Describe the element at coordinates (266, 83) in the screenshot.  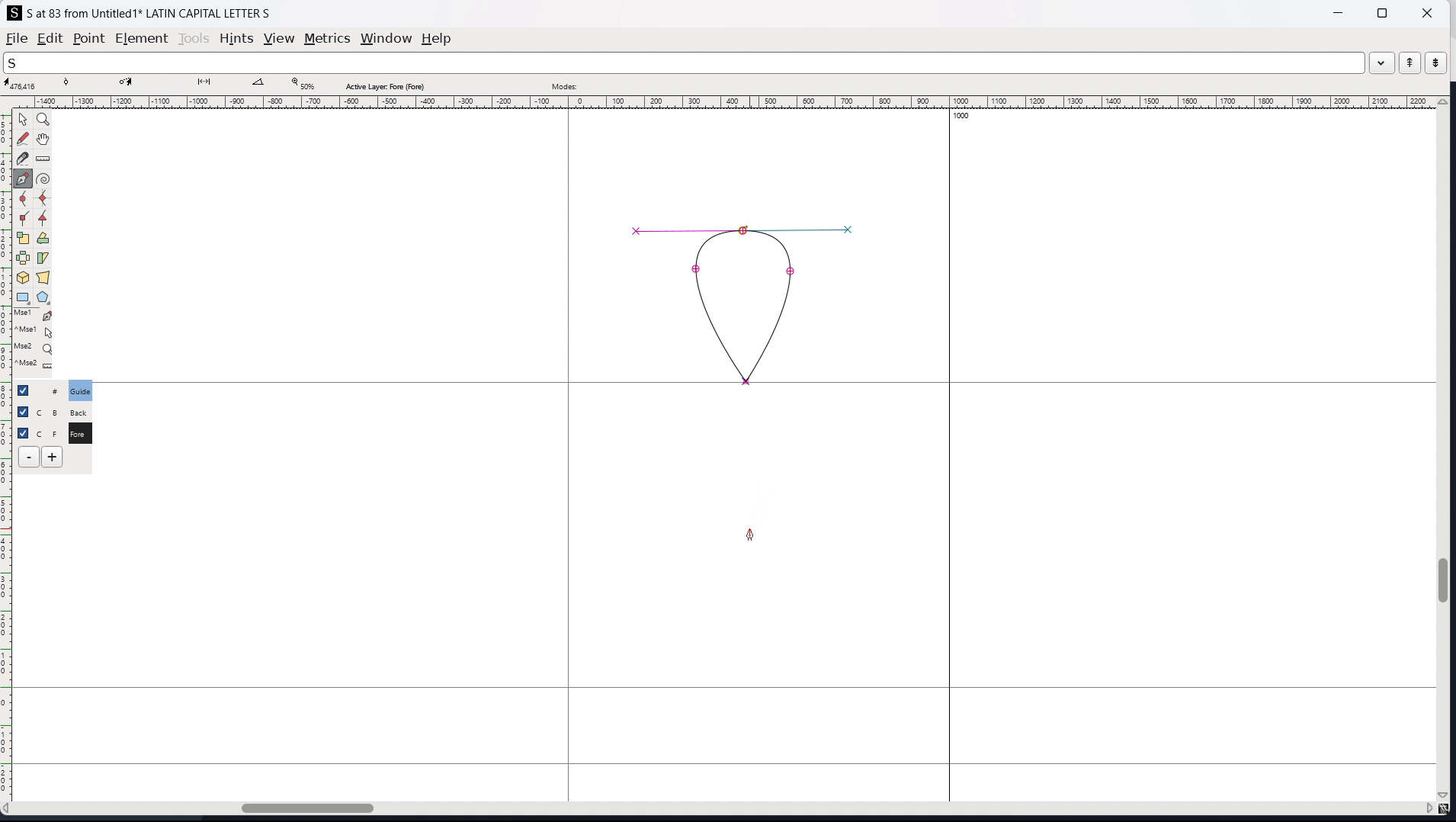
I see `angle between points` at that location.